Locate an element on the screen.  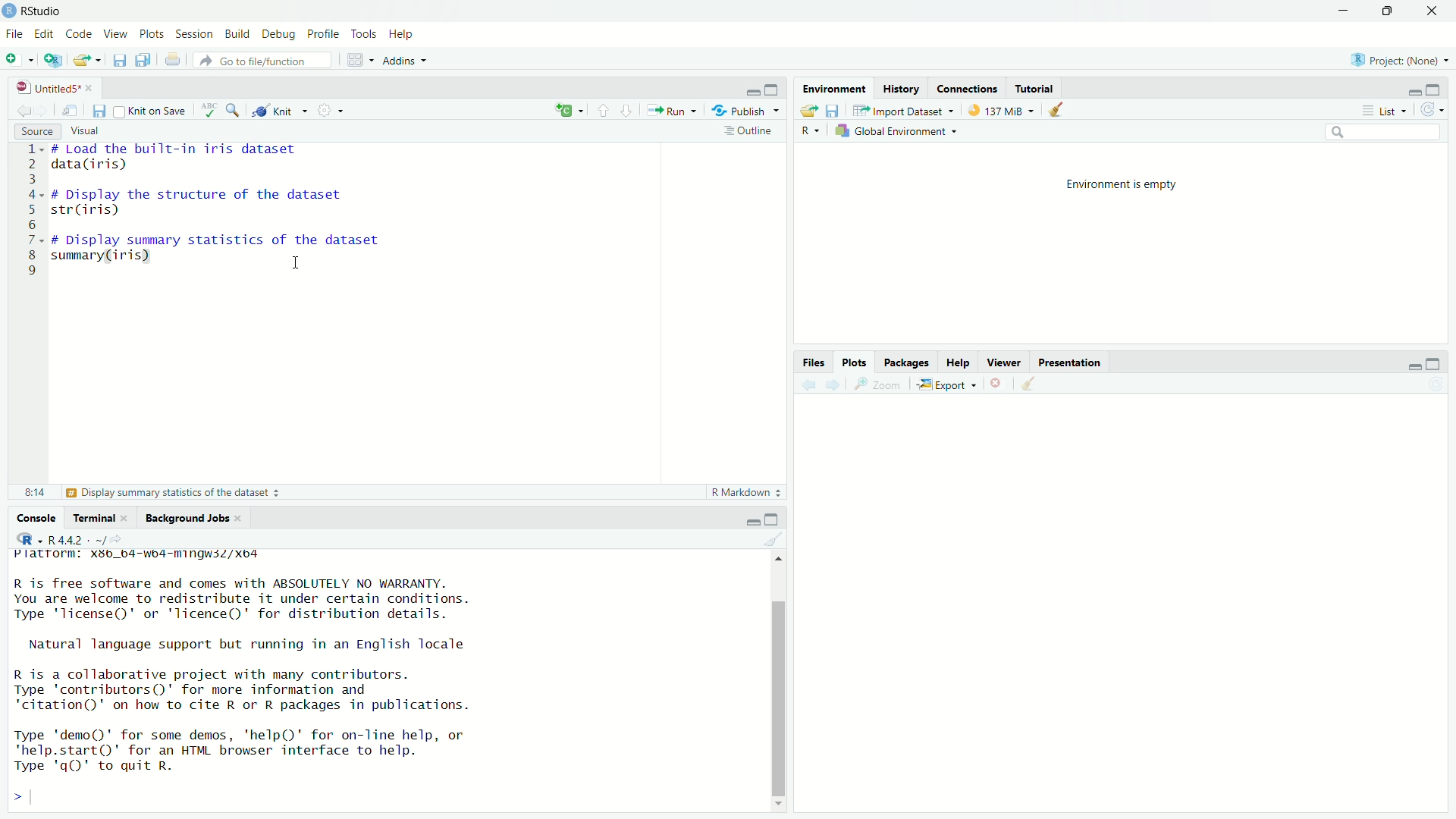
Scroll down is located at coordinates (780, 805).